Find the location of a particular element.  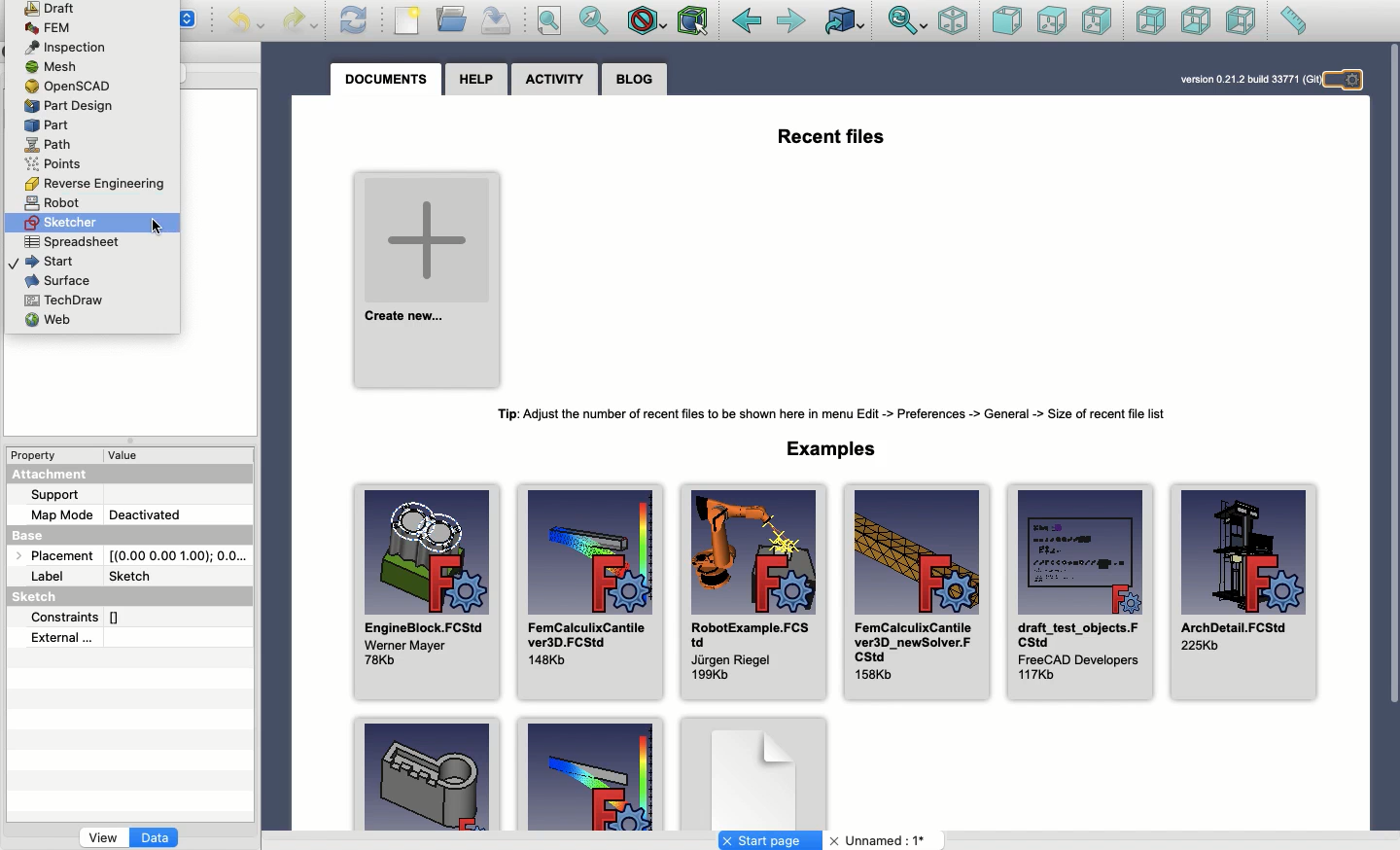

Examples is located at coordinates (589, 773).